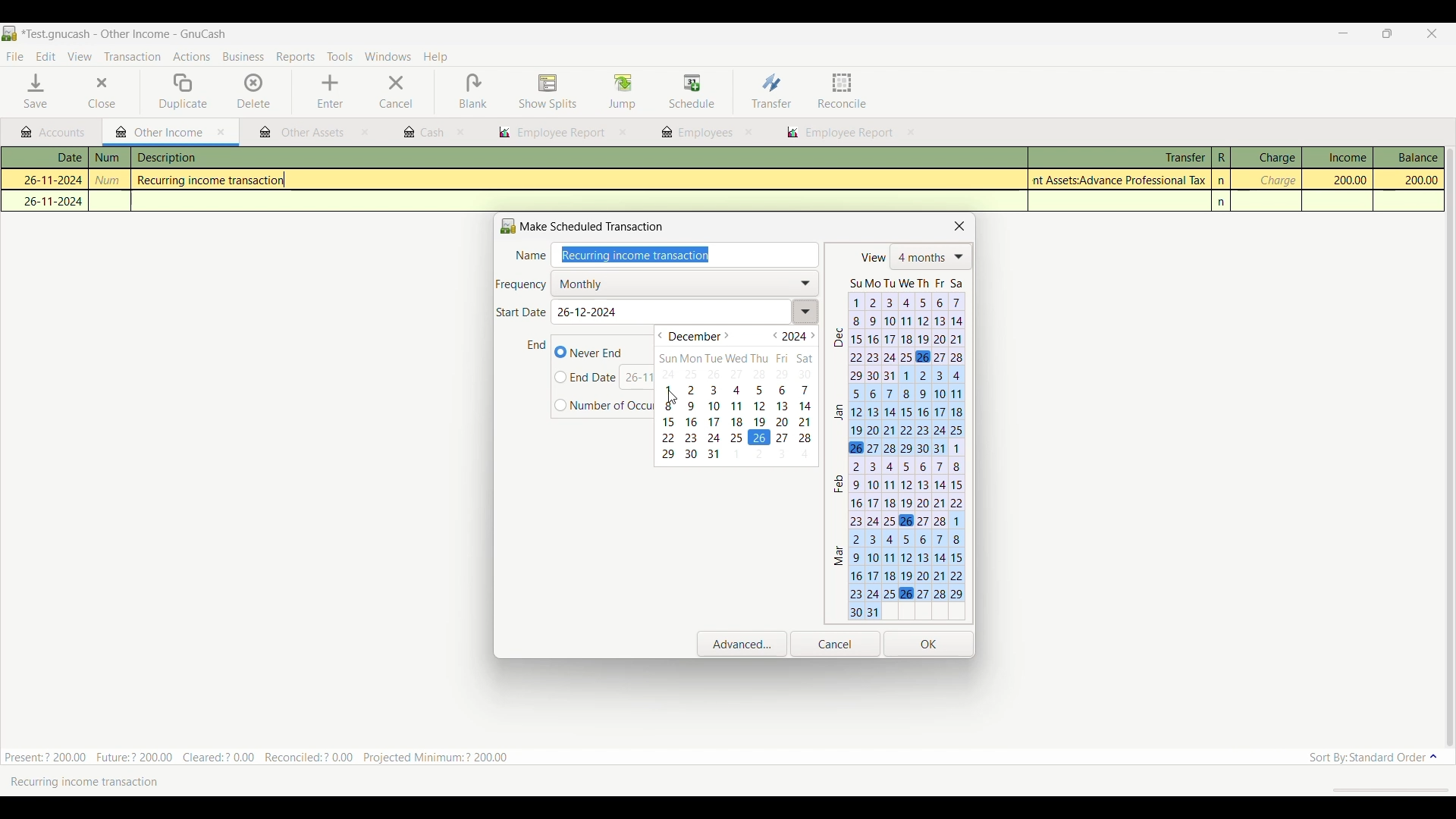 The image size is (1456, 819). What do you see at coordinates (132, 57) in the screenshot?
I see `Transaction menu` at bounding box center [132, 57].